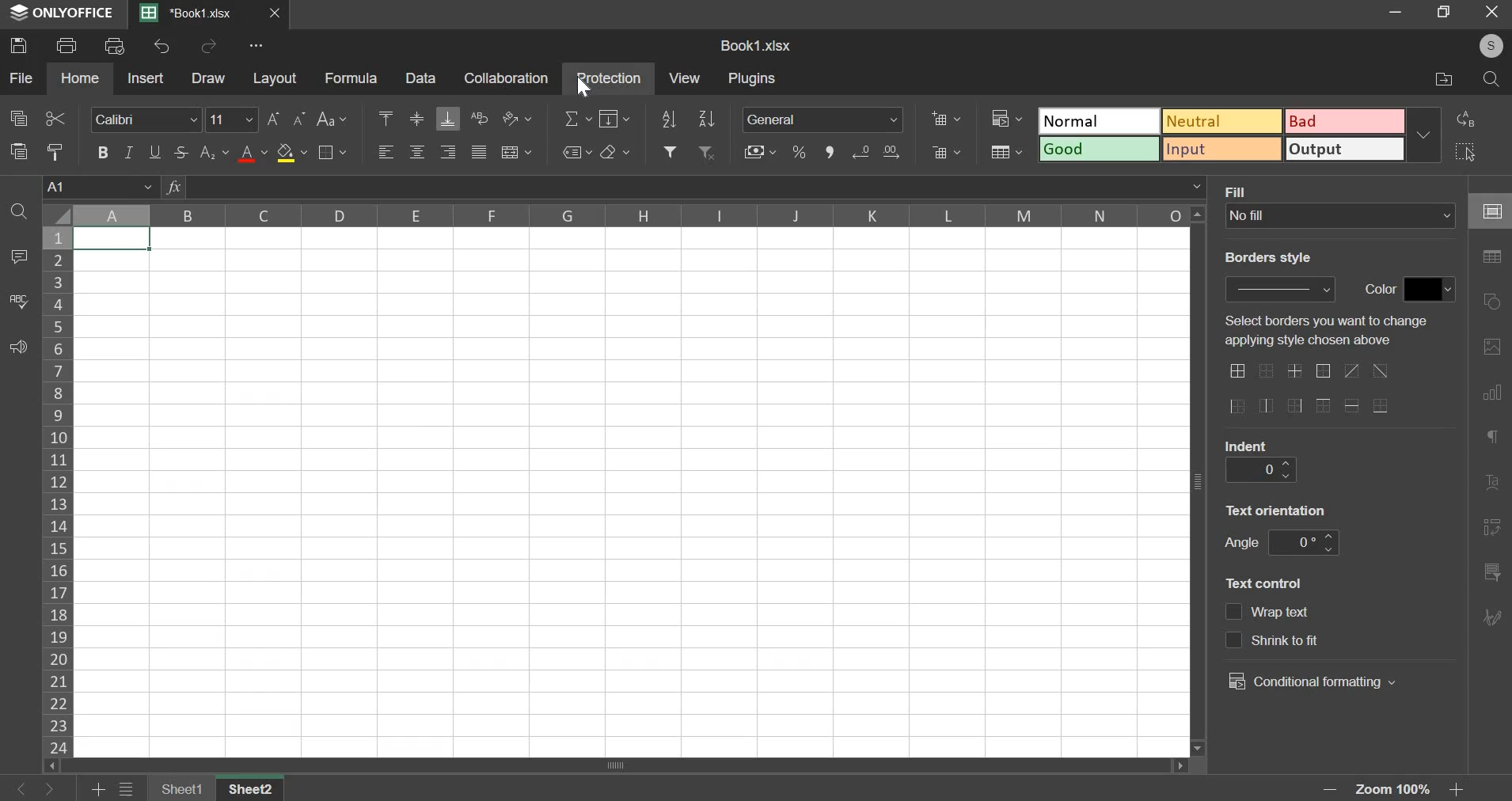 The width and height of the screenshot is (1512, 801). What do you see at coordinates (609, 80) in the screenshot?
I see `protection` at bounding box center [609, 80].